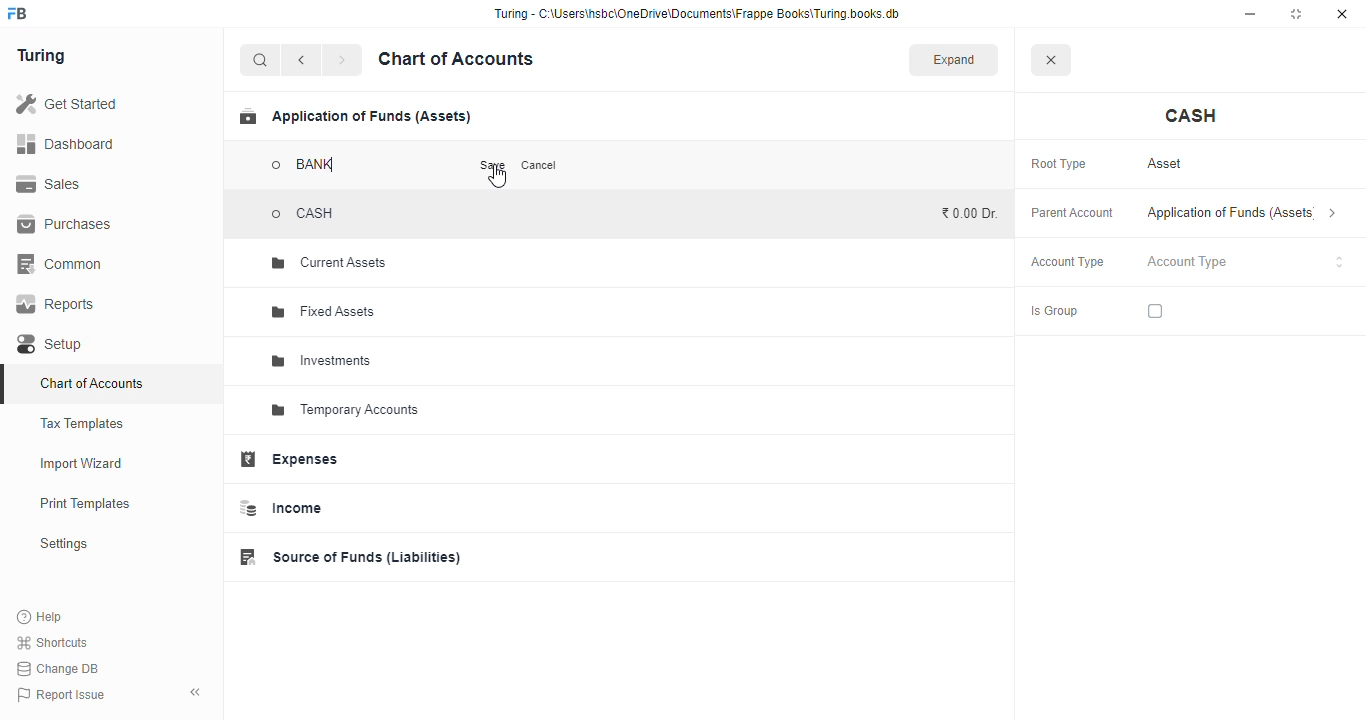 The width and height of the screenshot is (1366, 720). What do you see at coordinates (324, 213) in the screenshot?
I see `CASH` at bounding box center [324, 213].